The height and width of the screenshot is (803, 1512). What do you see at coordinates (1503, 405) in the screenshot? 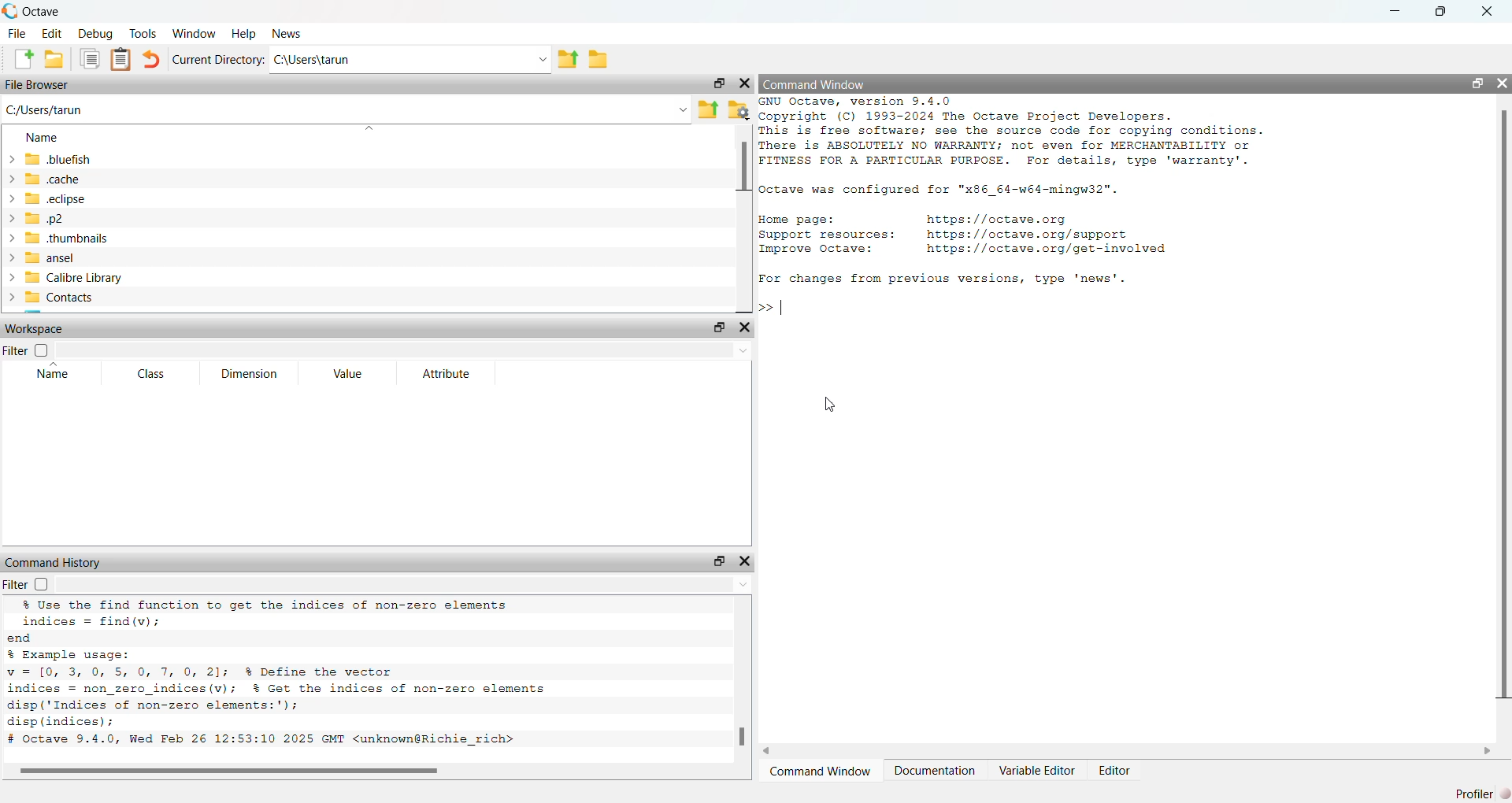
I see `vertical scroll bar` at bounding box center [1503, 405].